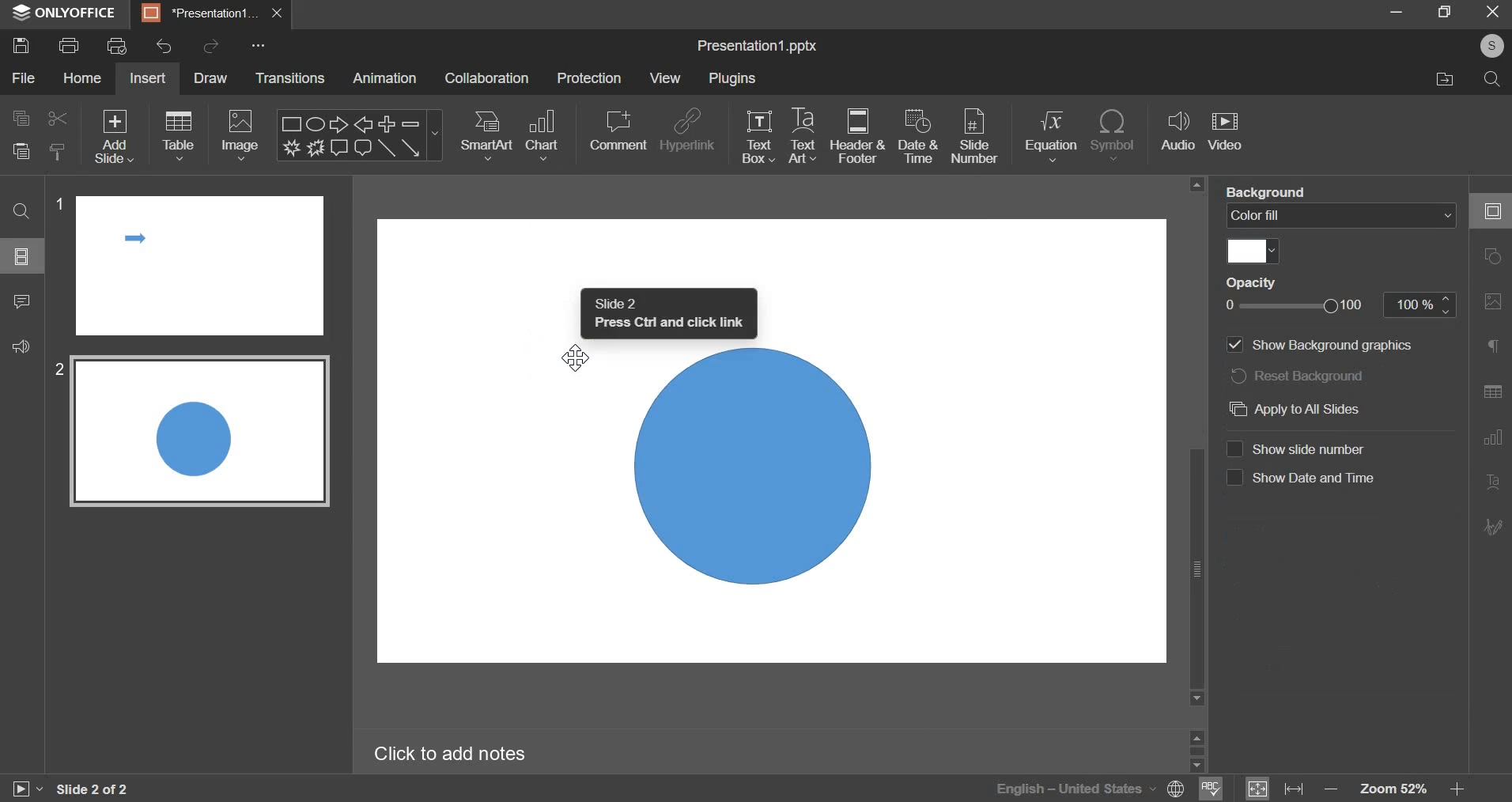 The height and width of the screenshot is (802, 1512). Describe the element at coordinates (1446, 81) in the screenshot. I see `file location` at that location.